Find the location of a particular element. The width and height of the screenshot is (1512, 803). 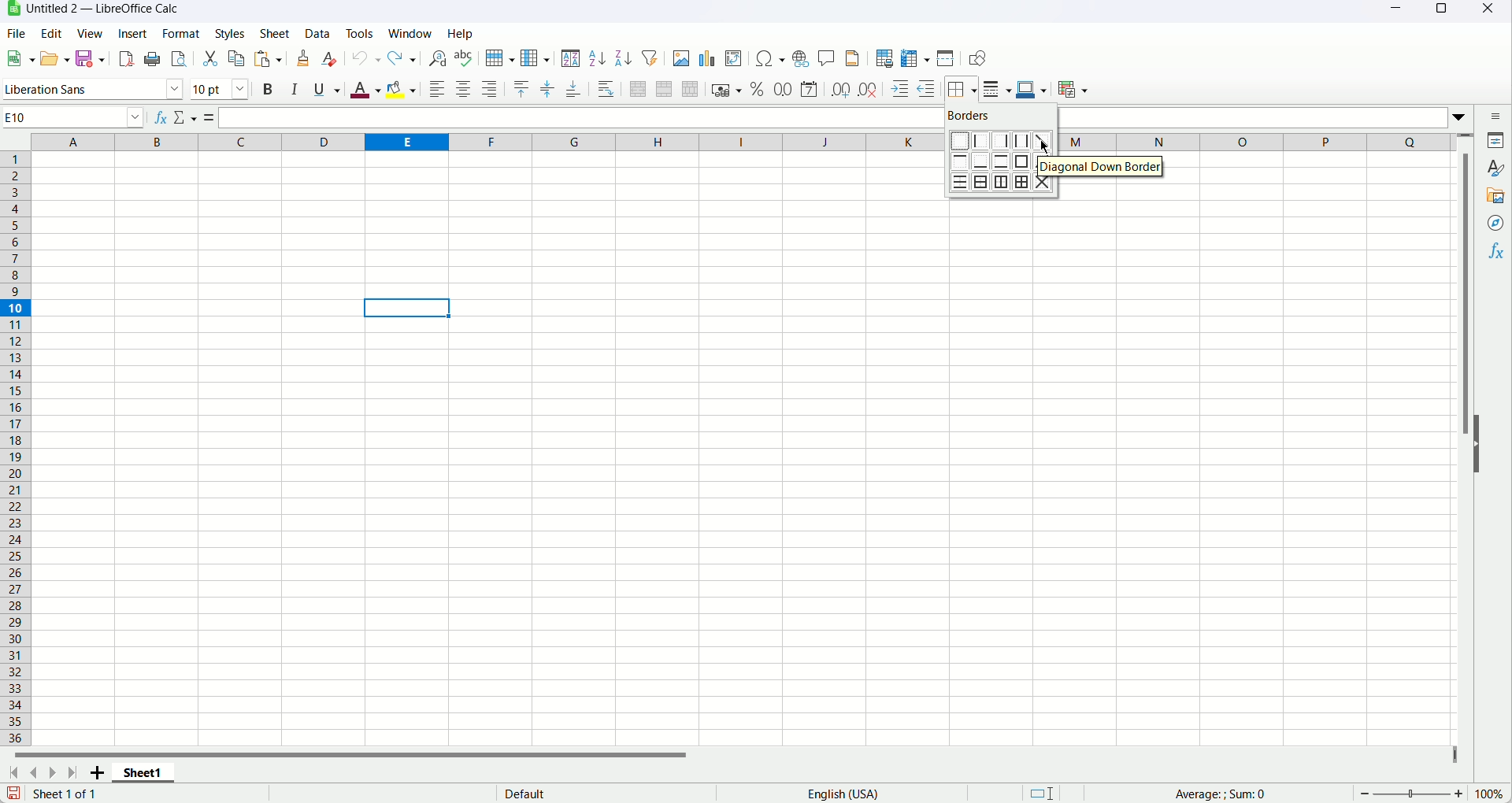

Sort is located at coordinates (571, 57).